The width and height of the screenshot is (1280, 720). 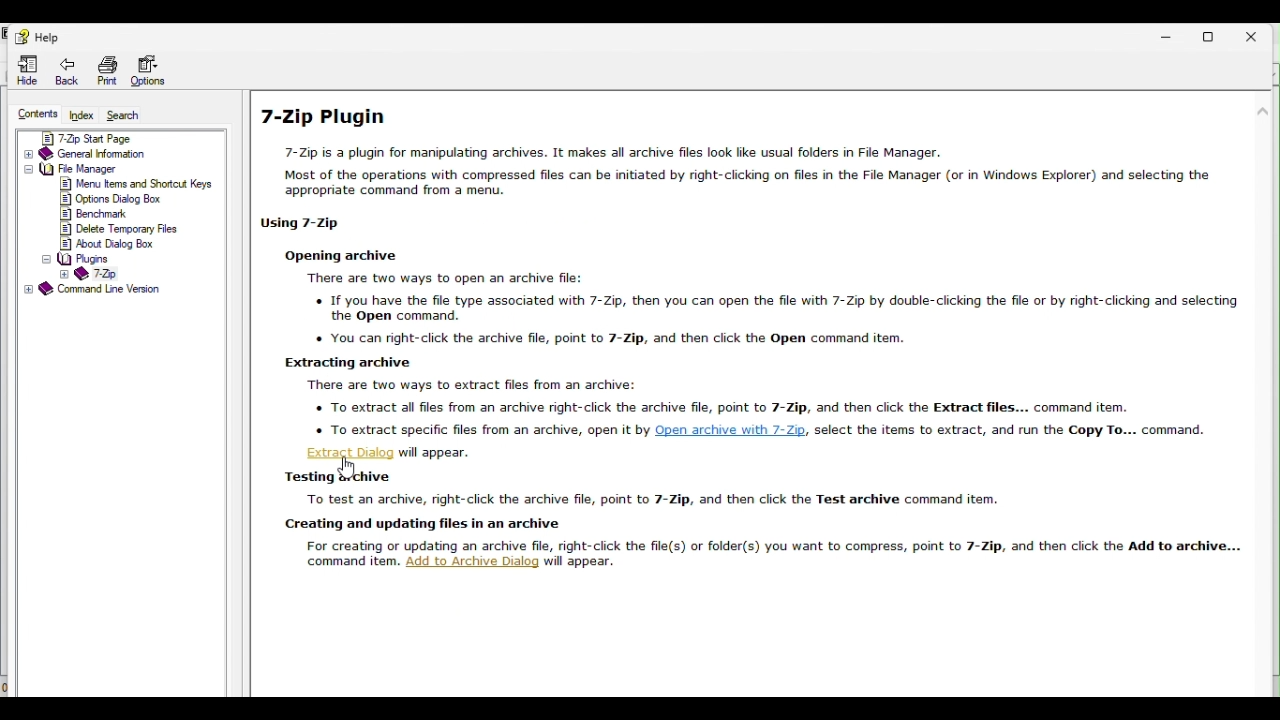 What do you see at coordinates (69, 68) in the screenshot?
I see `back` at bounding box center [69, 68].